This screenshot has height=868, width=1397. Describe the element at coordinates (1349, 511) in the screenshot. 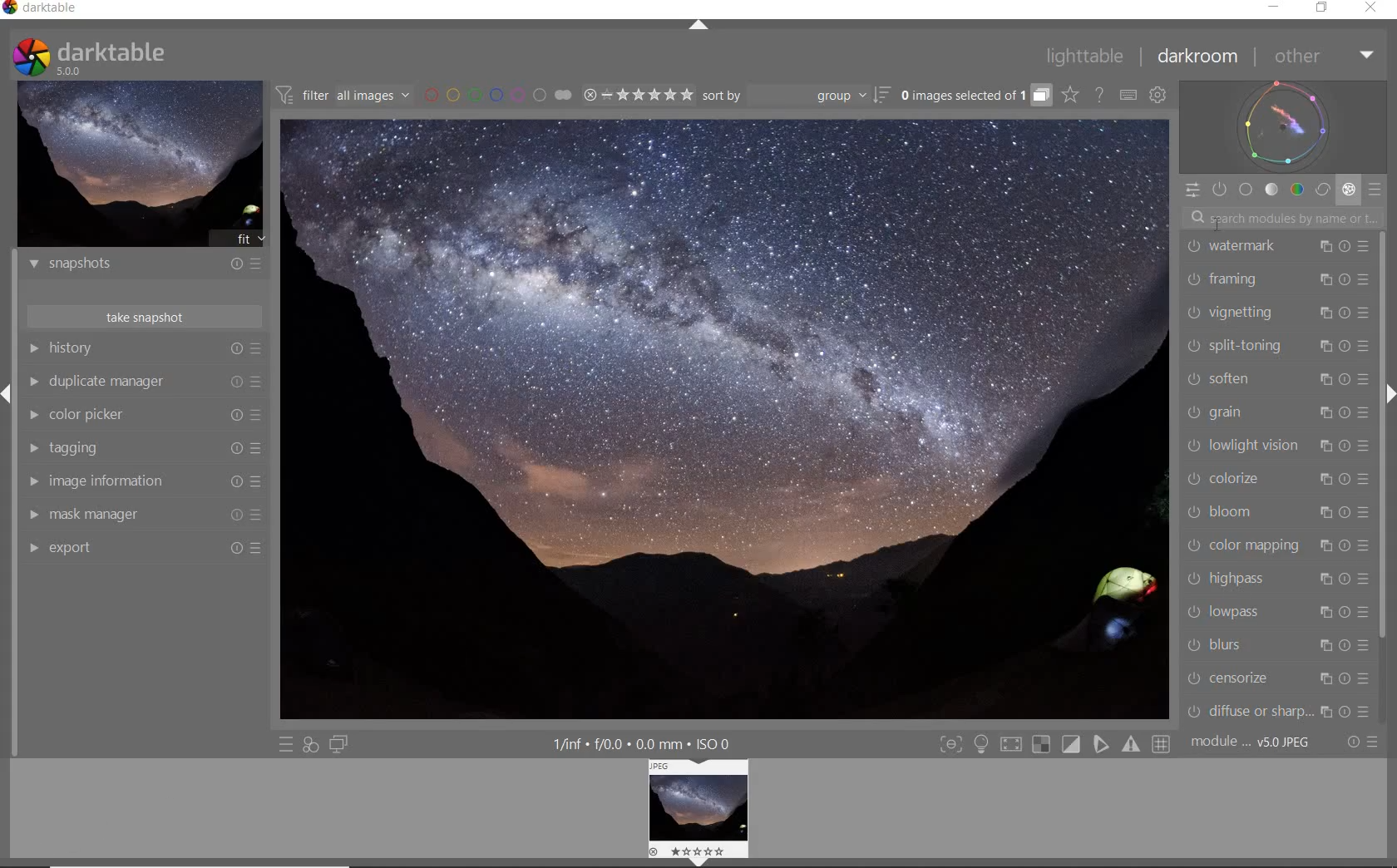

I see `reset parameters` at that location.